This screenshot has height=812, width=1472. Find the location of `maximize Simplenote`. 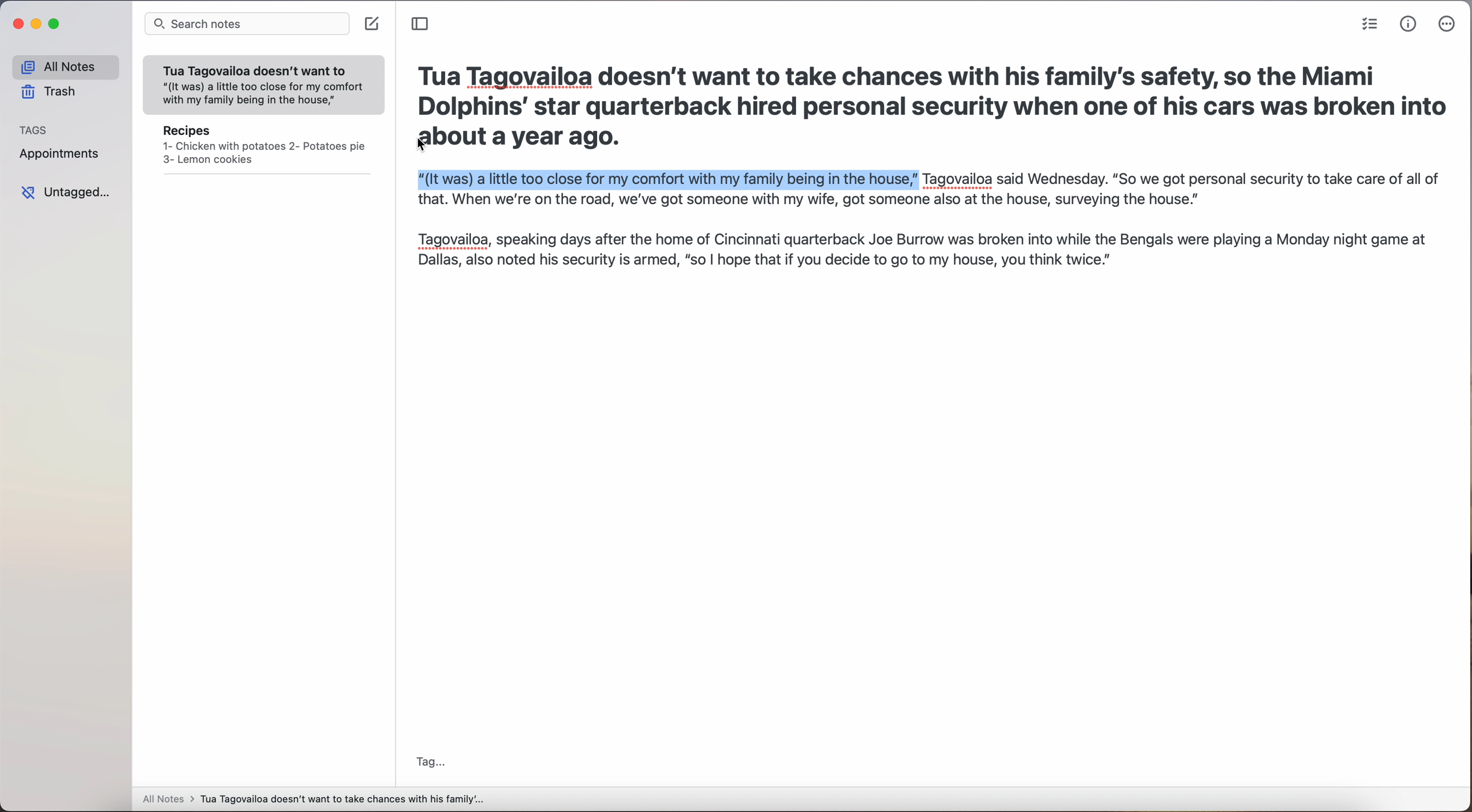

maximize Simplenote is located at coordinates (54, 23).